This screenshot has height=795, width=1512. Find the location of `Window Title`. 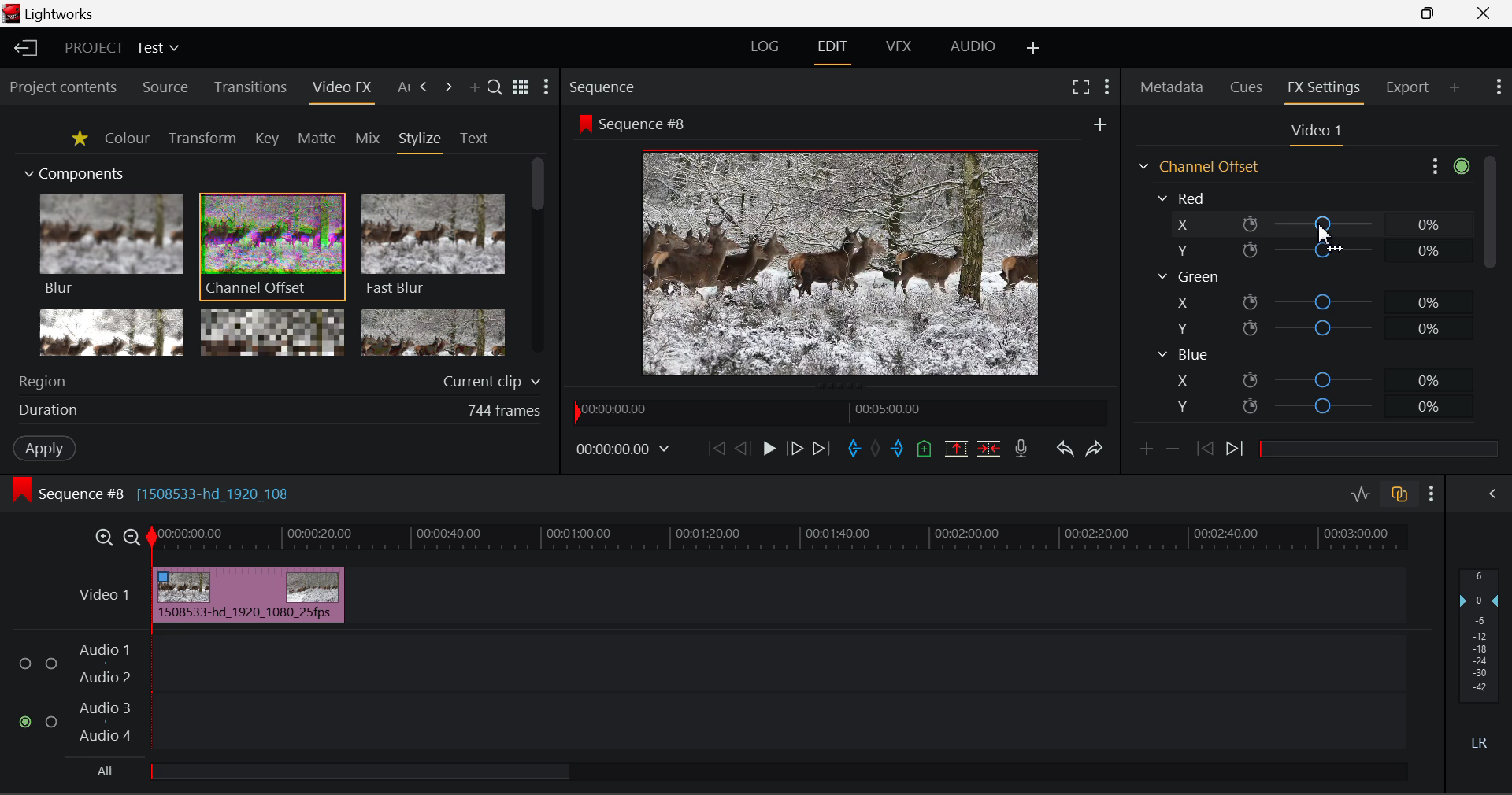

Window Title is located at coordinates (60, 14).